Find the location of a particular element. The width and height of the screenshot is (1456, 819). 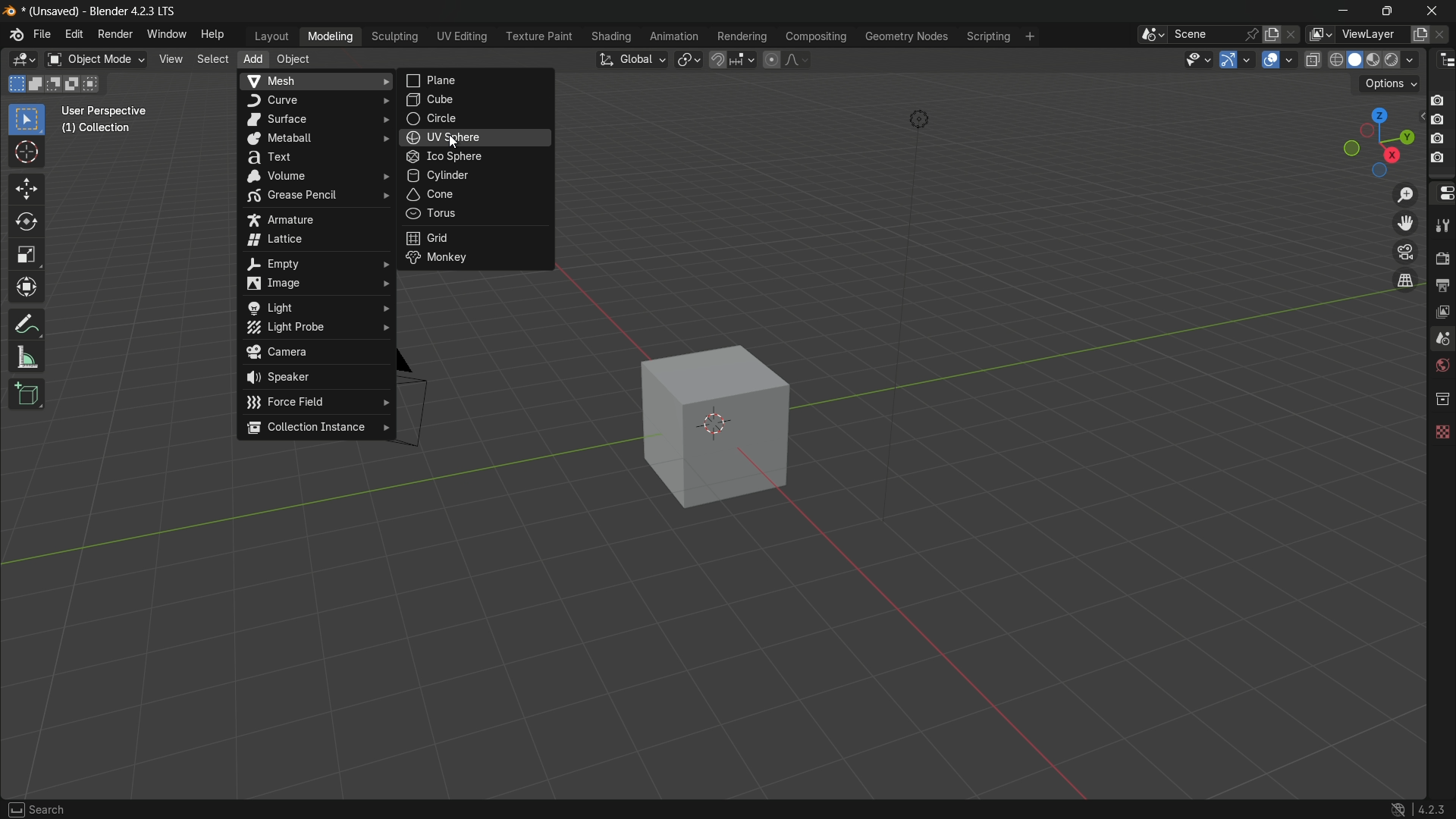

browse views is located at coordinates (1321, 36).